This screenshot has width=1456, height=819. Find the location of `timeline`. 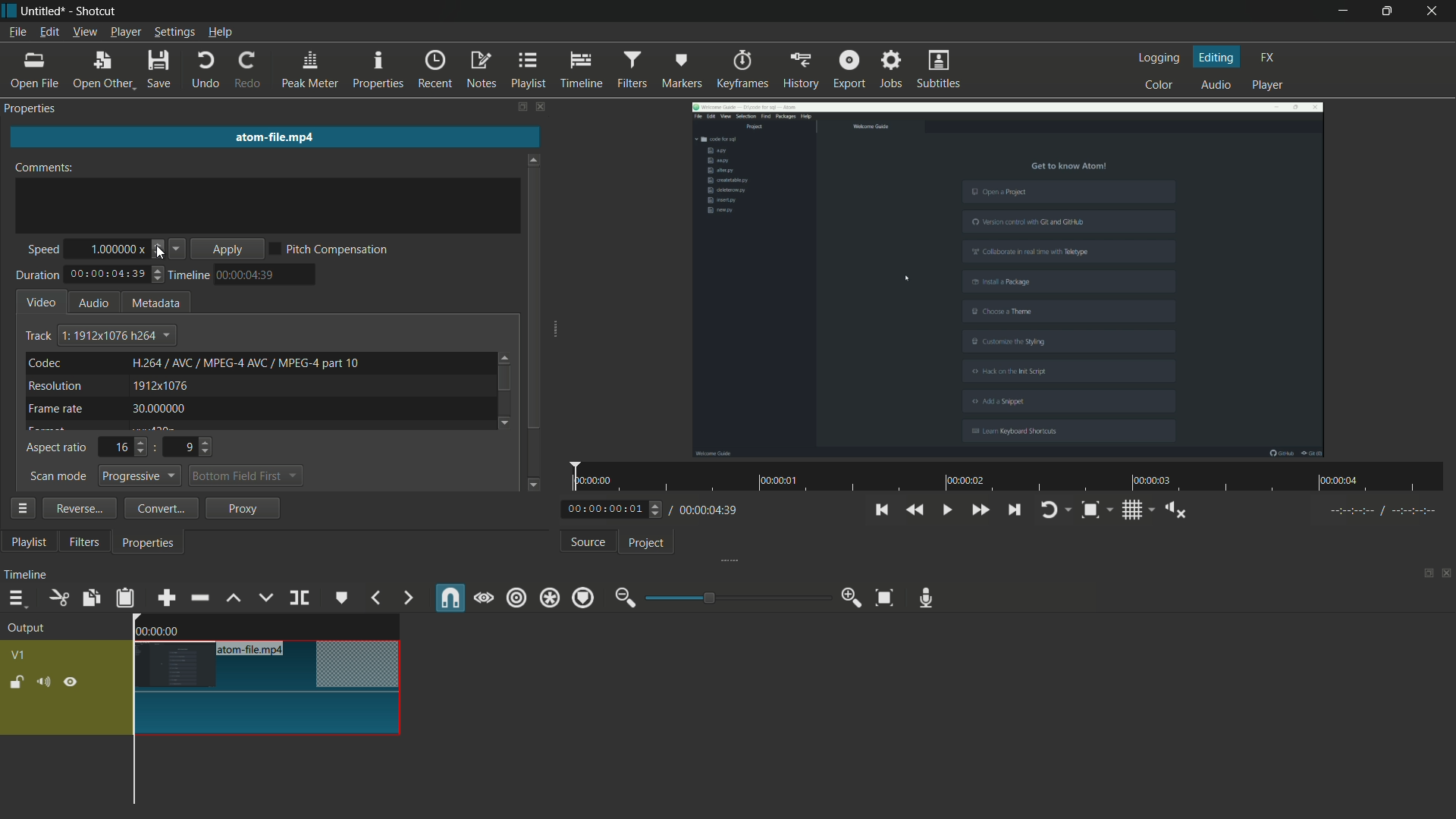

timeline is located at coordinates (582, 70).